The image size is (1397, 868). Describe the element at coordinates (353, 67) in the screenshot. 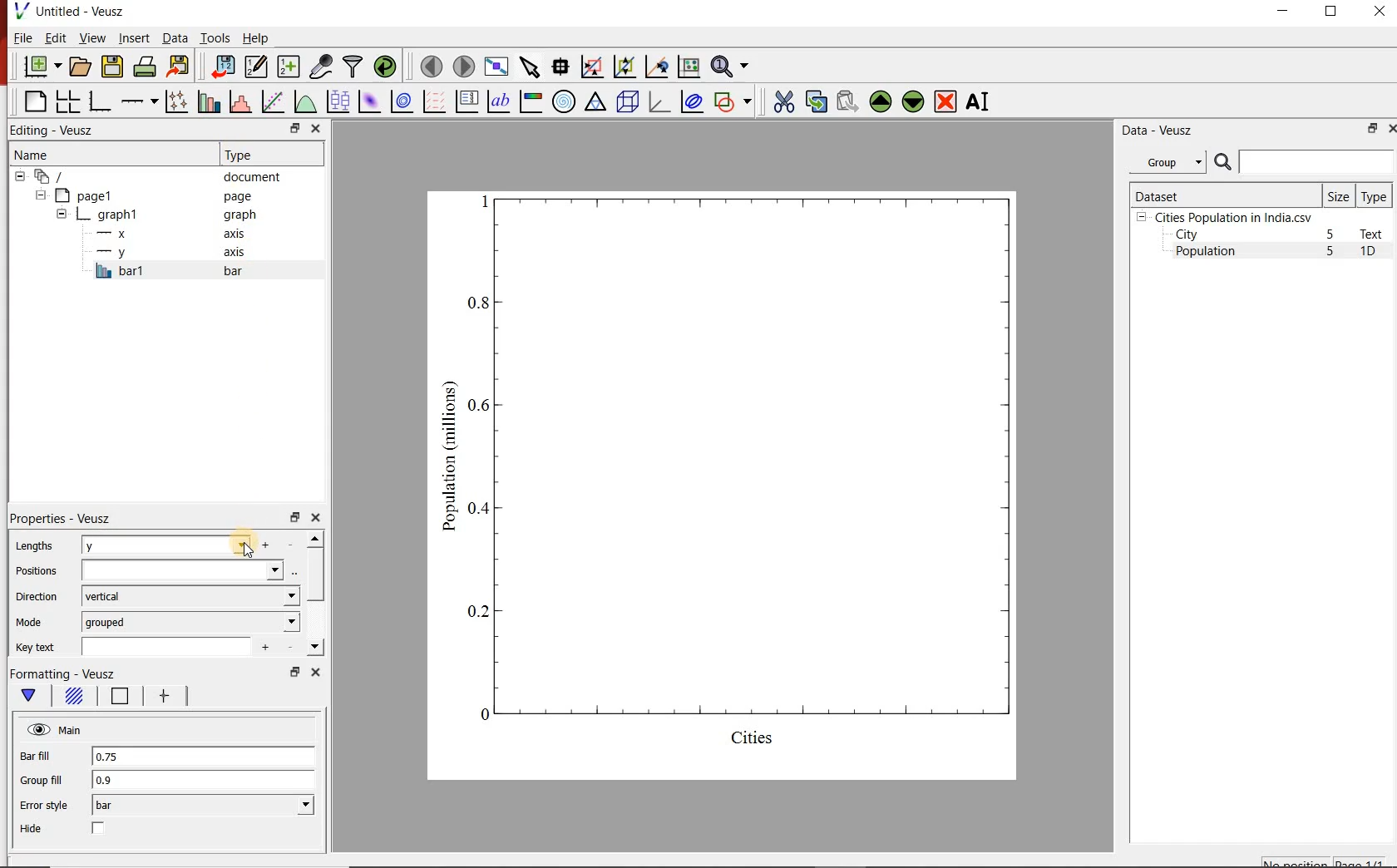

I see `filter data` at that location.